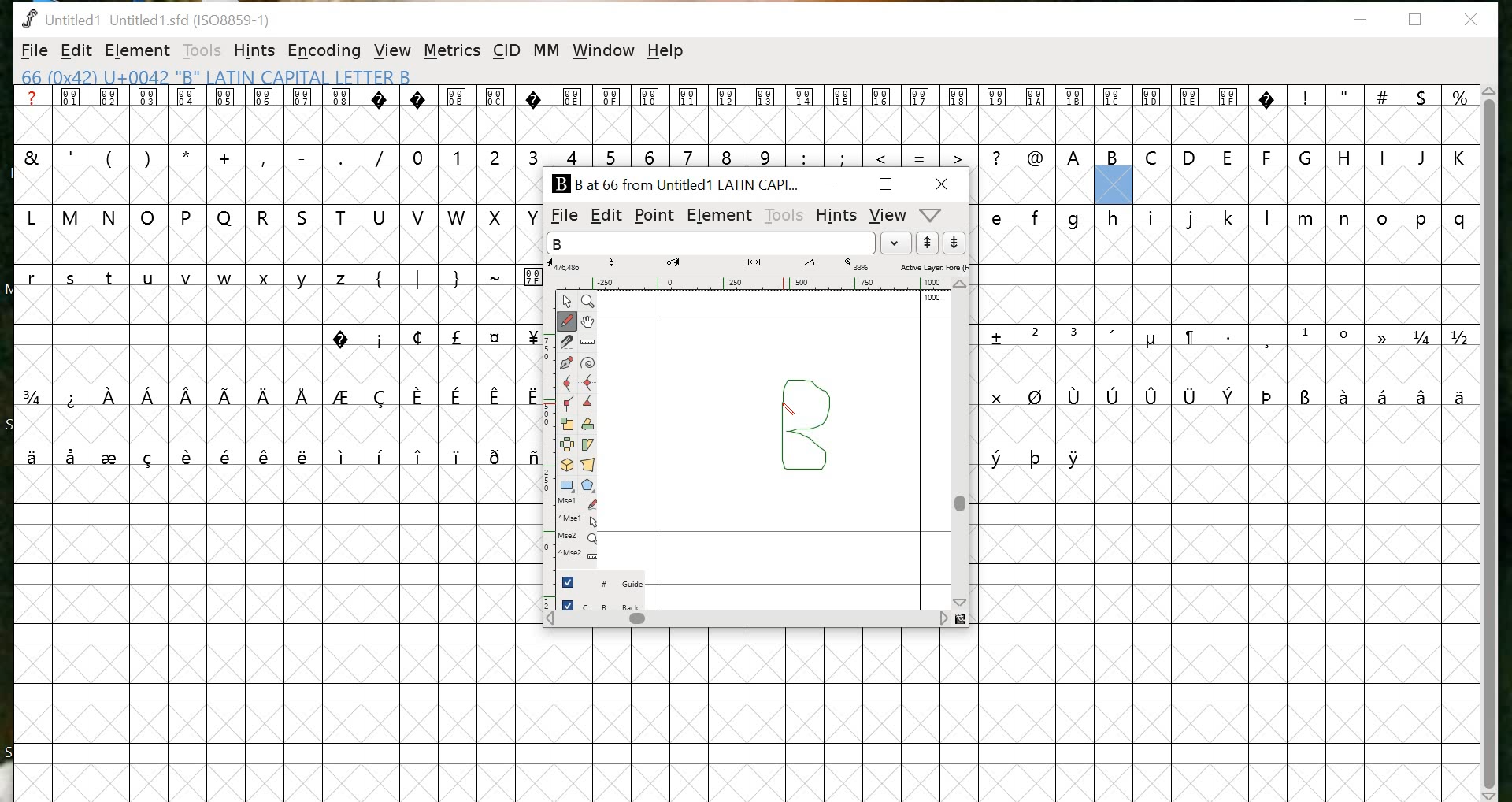 This screenshot has height=802, width=1512. What do you see at coordinates (569, 406) in the screenshot?
I see `Corner` at bounding box center [569, 406].